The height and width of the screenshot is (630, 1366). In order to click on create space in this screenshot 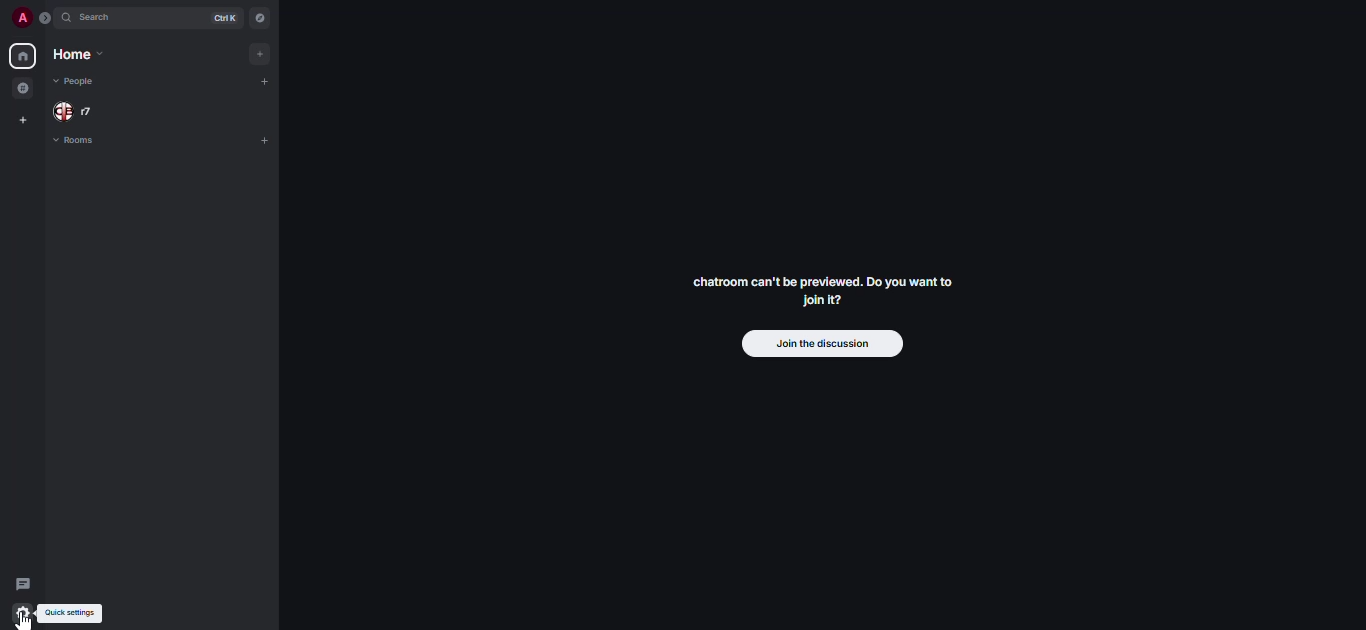, I will do `click(22, 121)`.